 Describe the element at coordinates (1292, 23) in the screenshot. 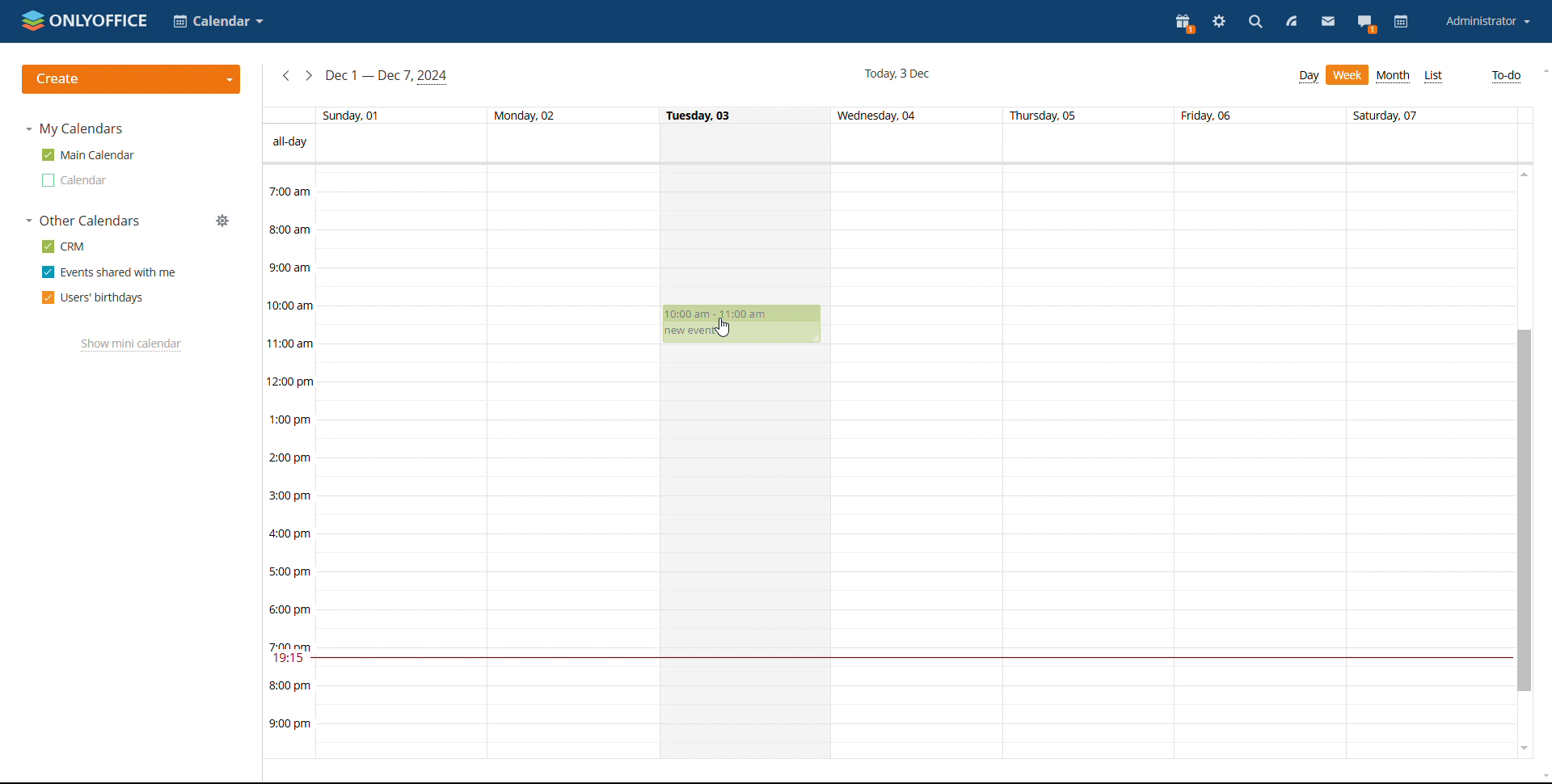

I see `feed` at that location.